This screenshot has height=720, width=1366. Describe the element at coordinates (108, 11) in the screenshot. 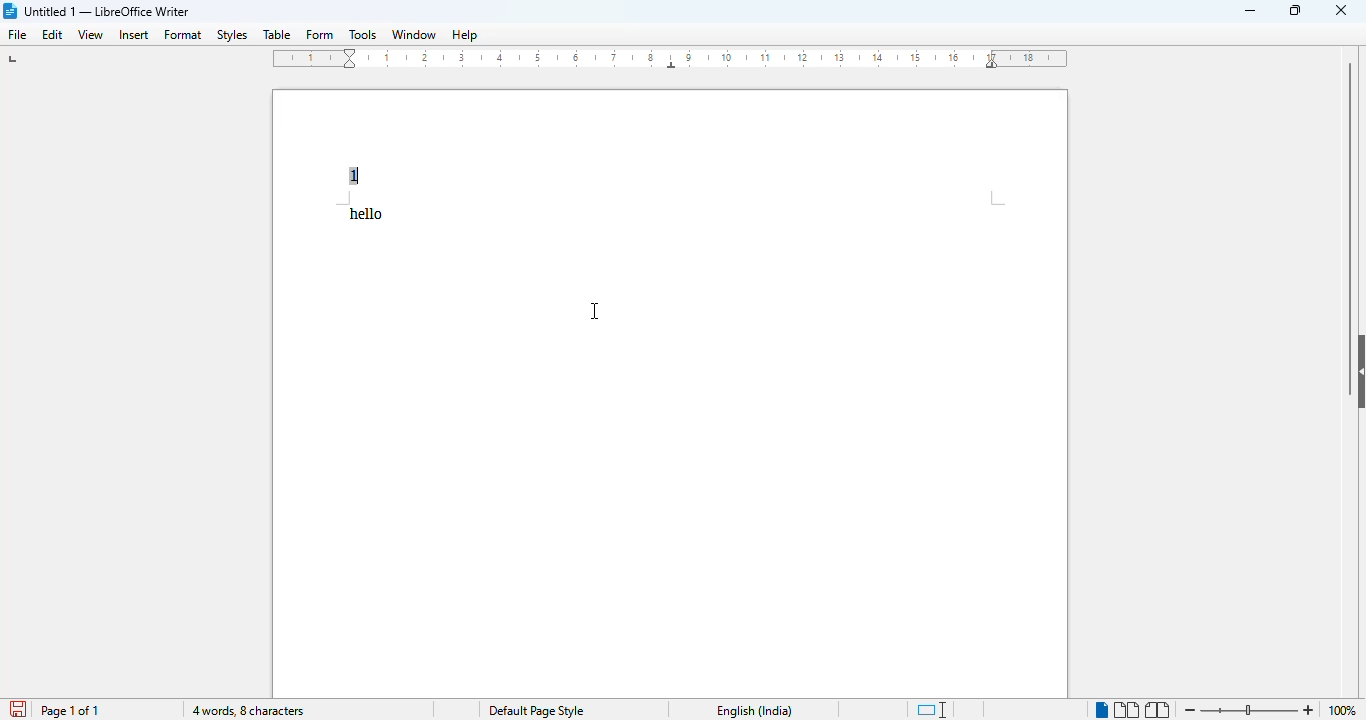

I see `title` at that location.